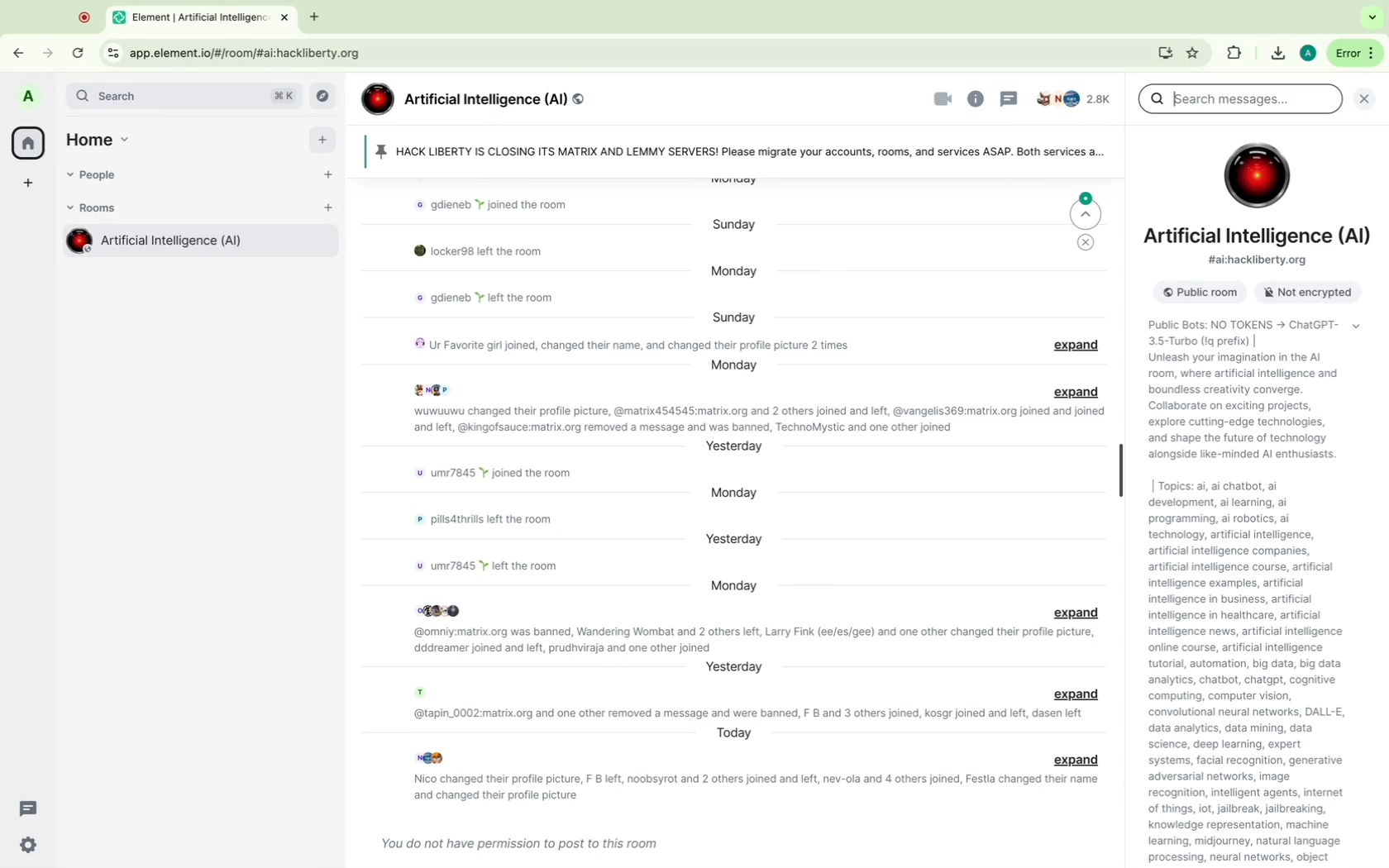  Describe the element at coordinates (1196, 293) in the screenshot. I see `public room` at that location.